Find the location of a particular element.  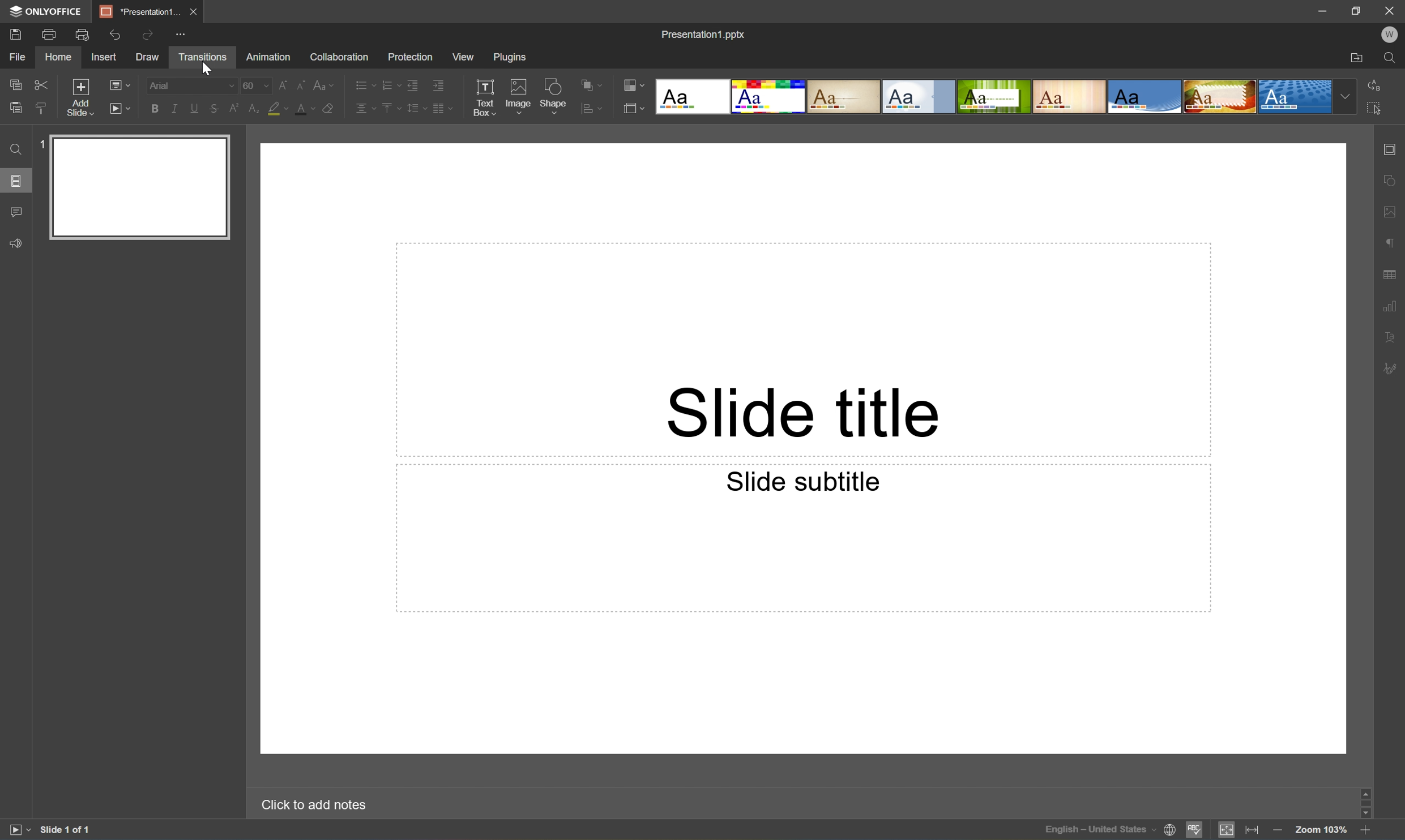

Draw is located at coordinates (151, 59).